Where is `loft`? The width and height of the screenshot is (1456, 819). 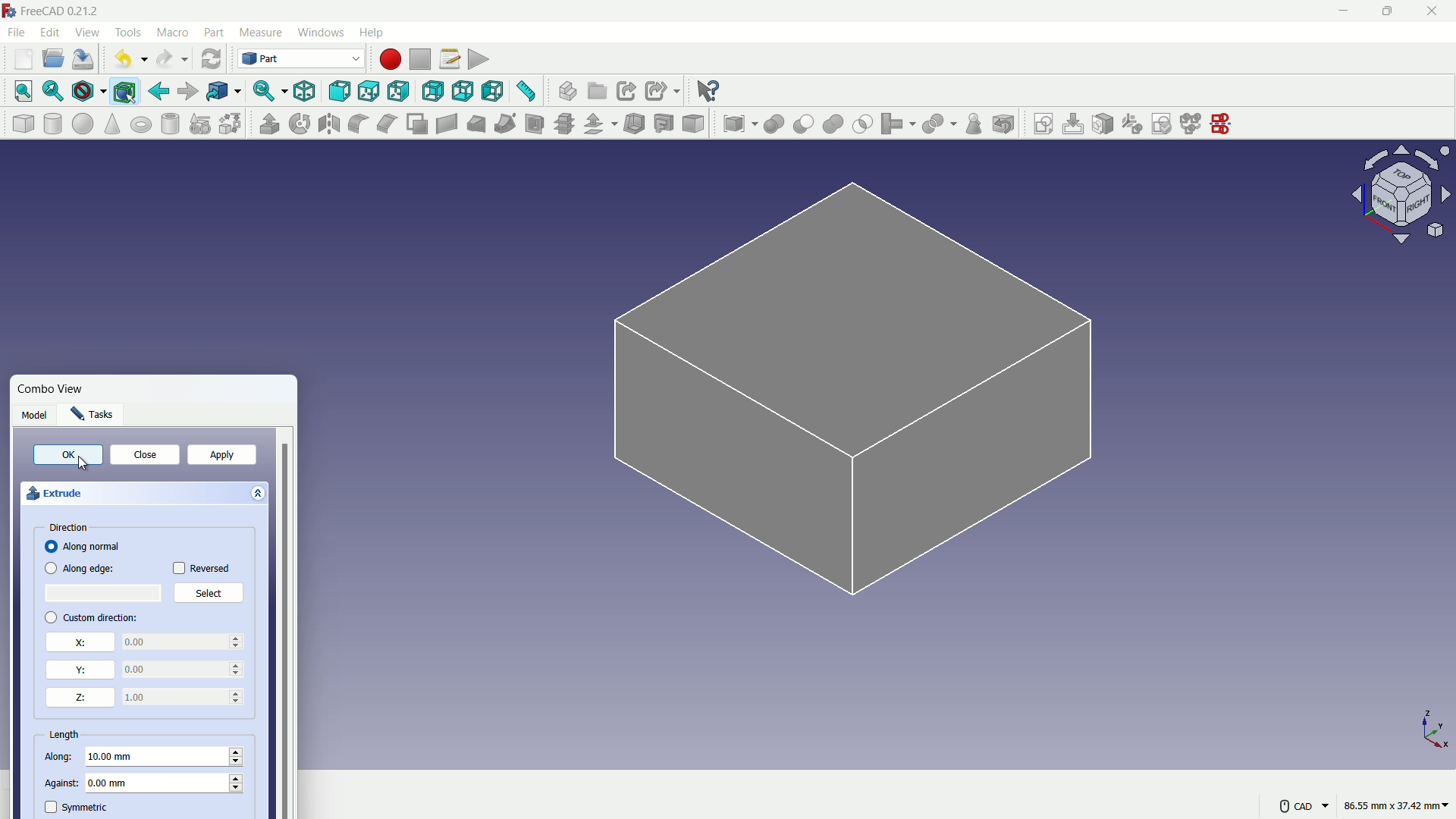
loft is located at coordinates (477, 124).